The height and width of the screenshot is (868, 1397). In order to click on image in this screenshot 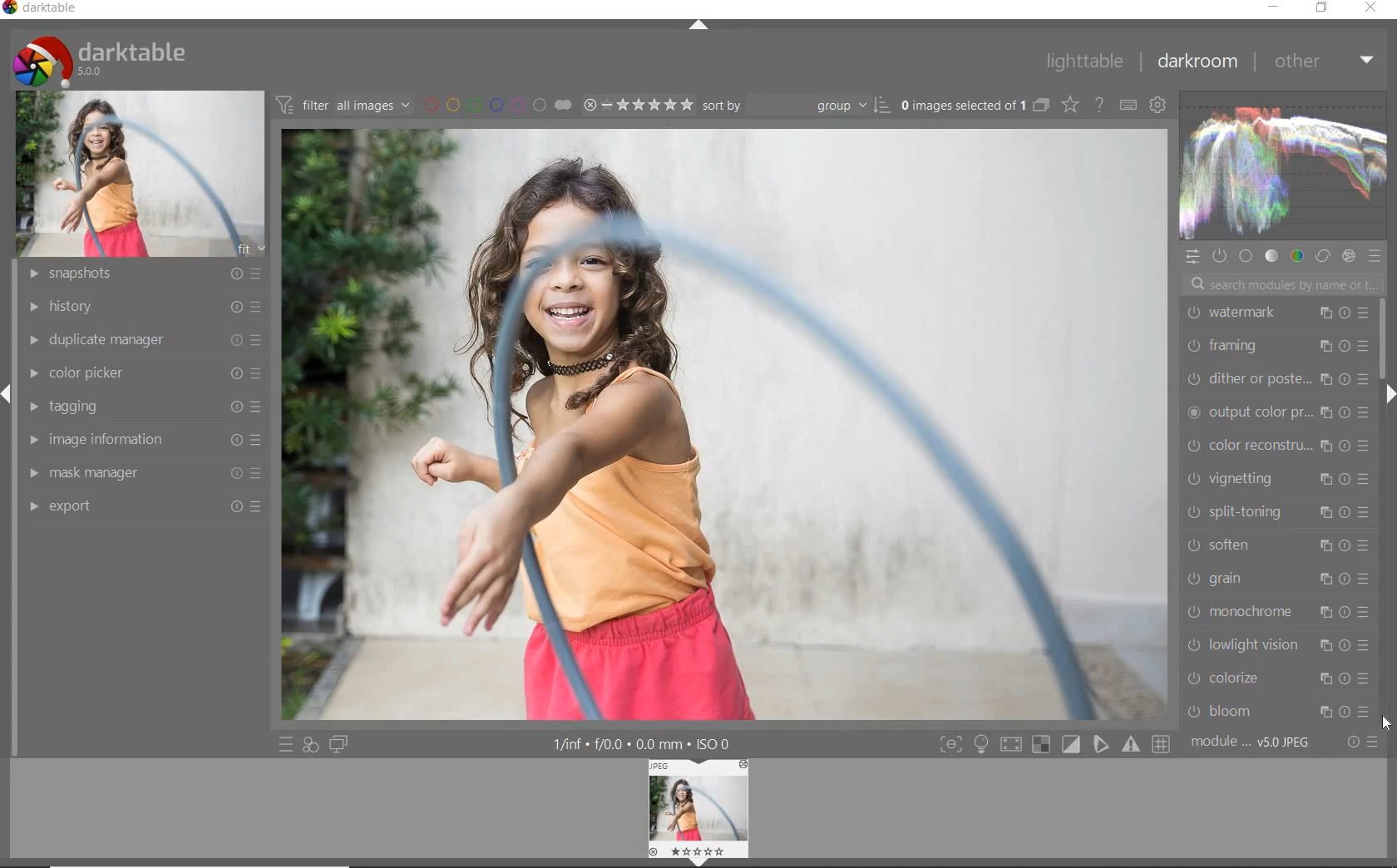, I will do `click(142, 172)`.